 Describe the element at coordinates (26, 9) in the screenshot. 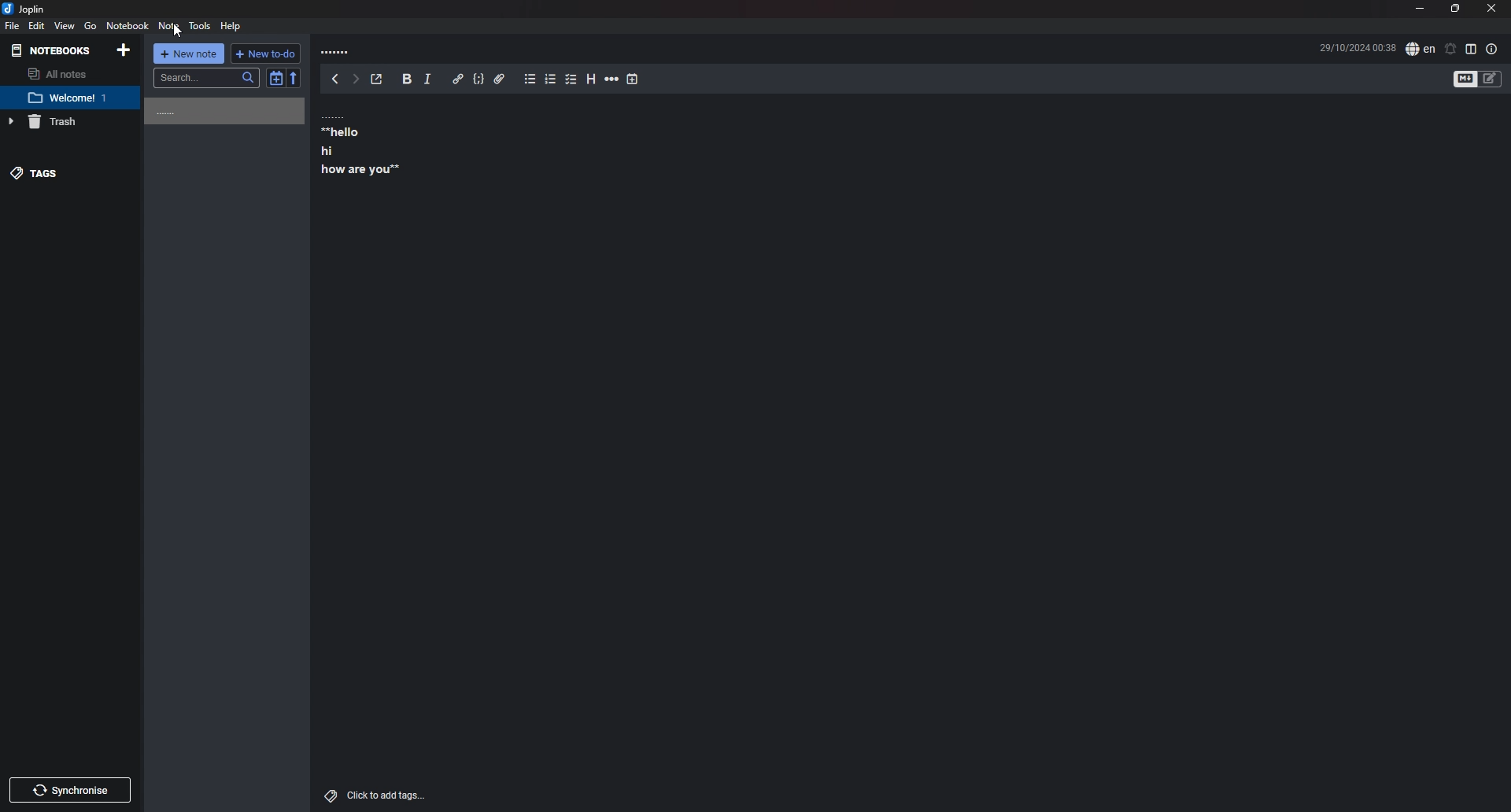

I see `joplin` at that location.